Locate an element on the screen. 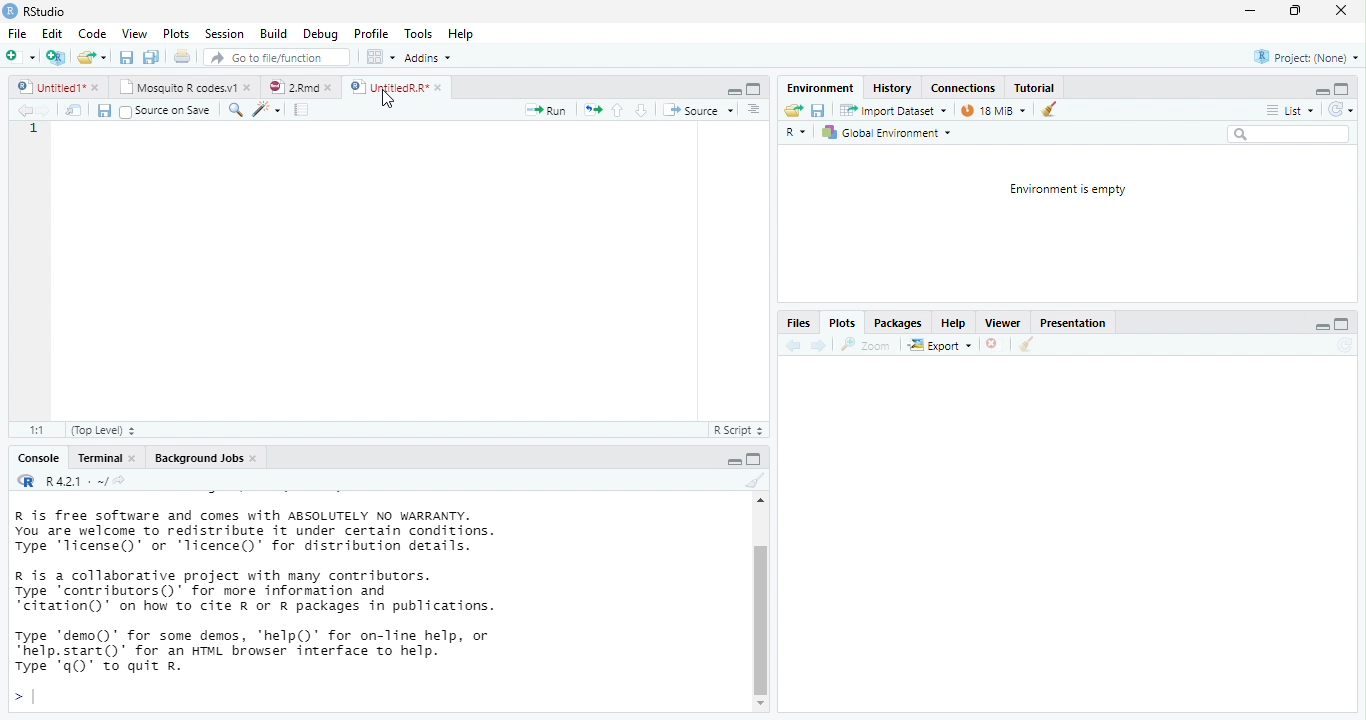 The height and width of the screenshot is (720, 1366). minimize is located at coordinates (1319, 93).